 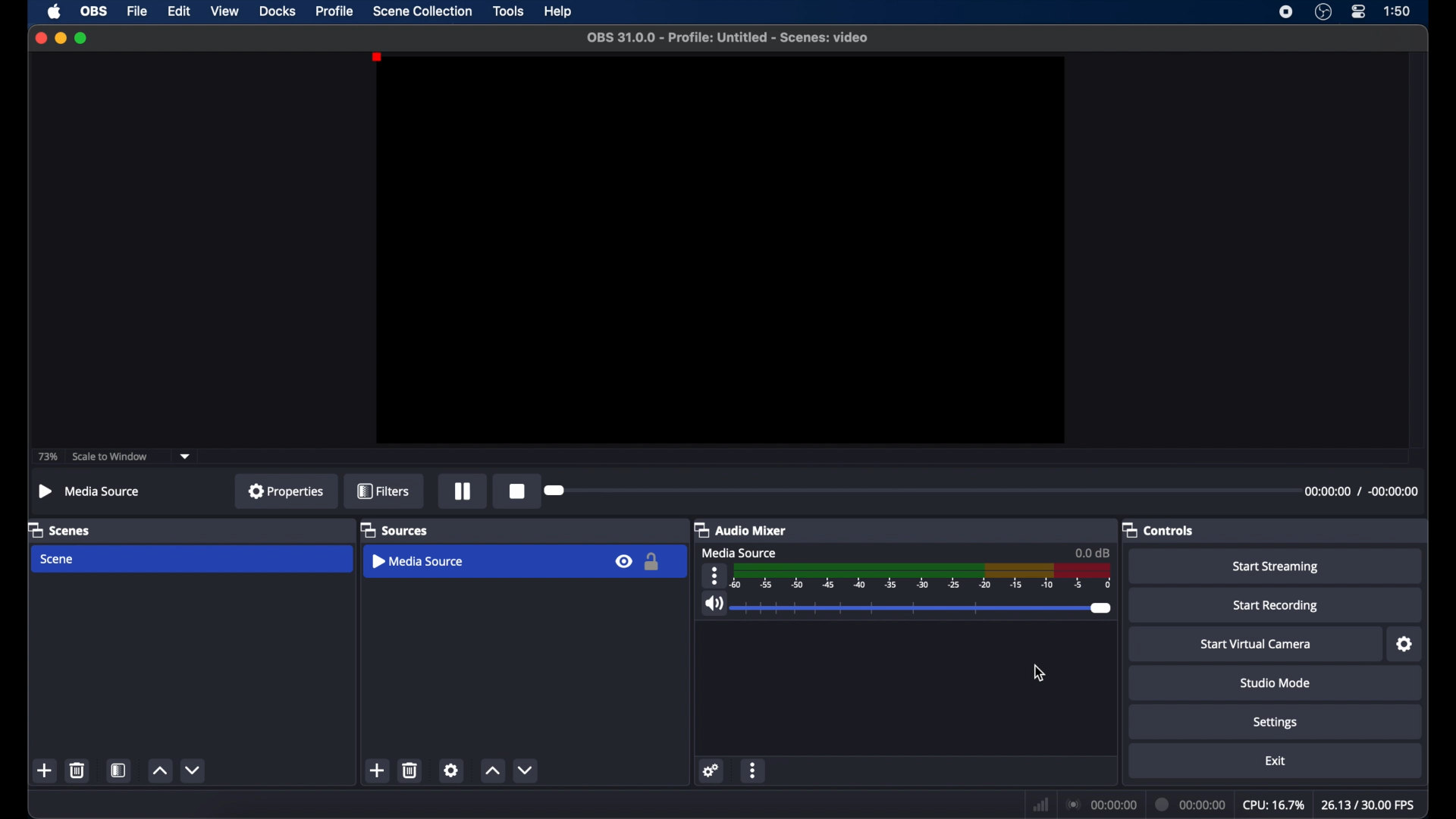 I want to click on pause, so click(x=460, y=491).